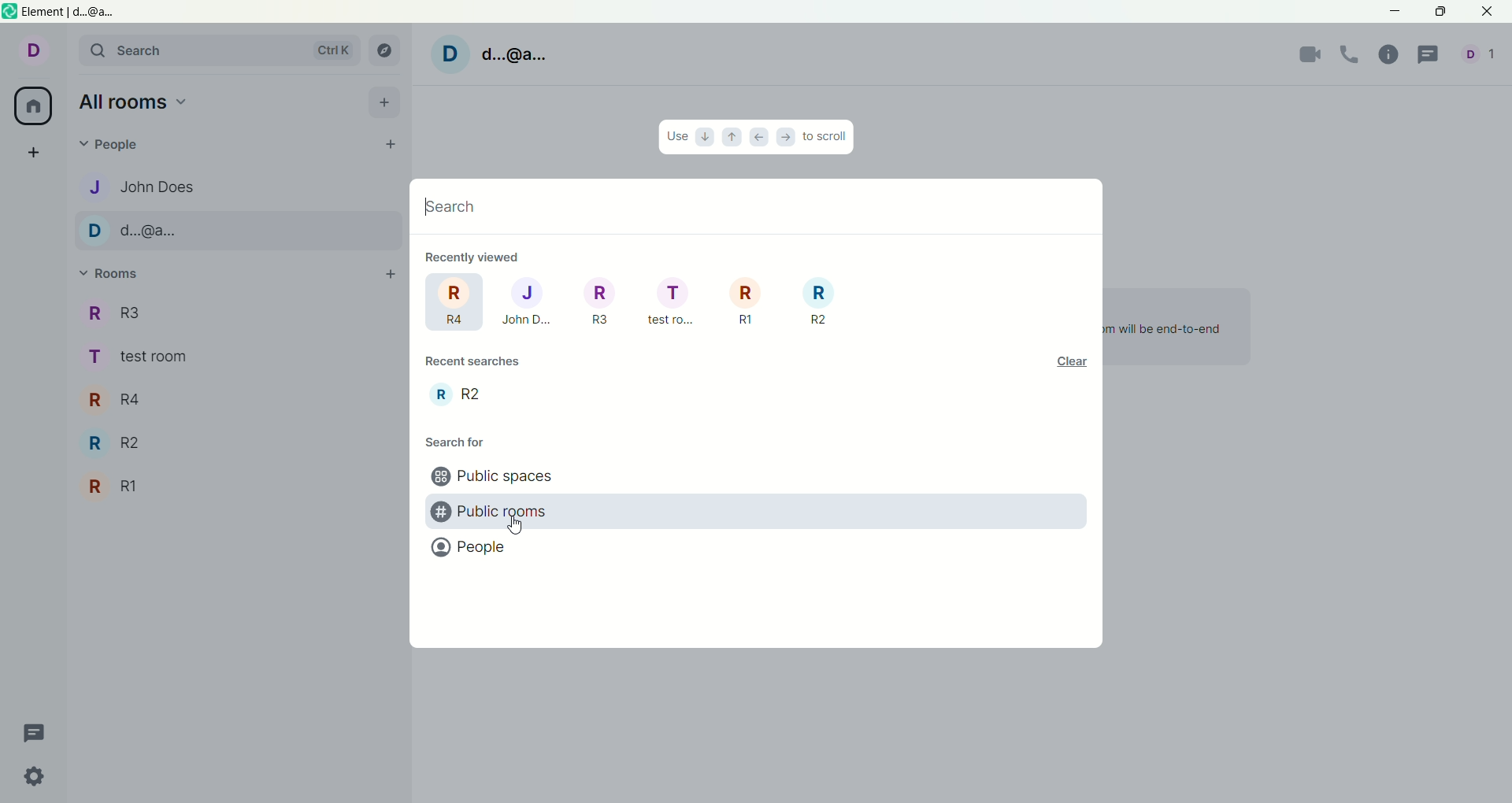 The width and height of the screenshot is (1512, 803). Describe the element at coordinates (390, 274) in the screenshot. I see `add` at that location.